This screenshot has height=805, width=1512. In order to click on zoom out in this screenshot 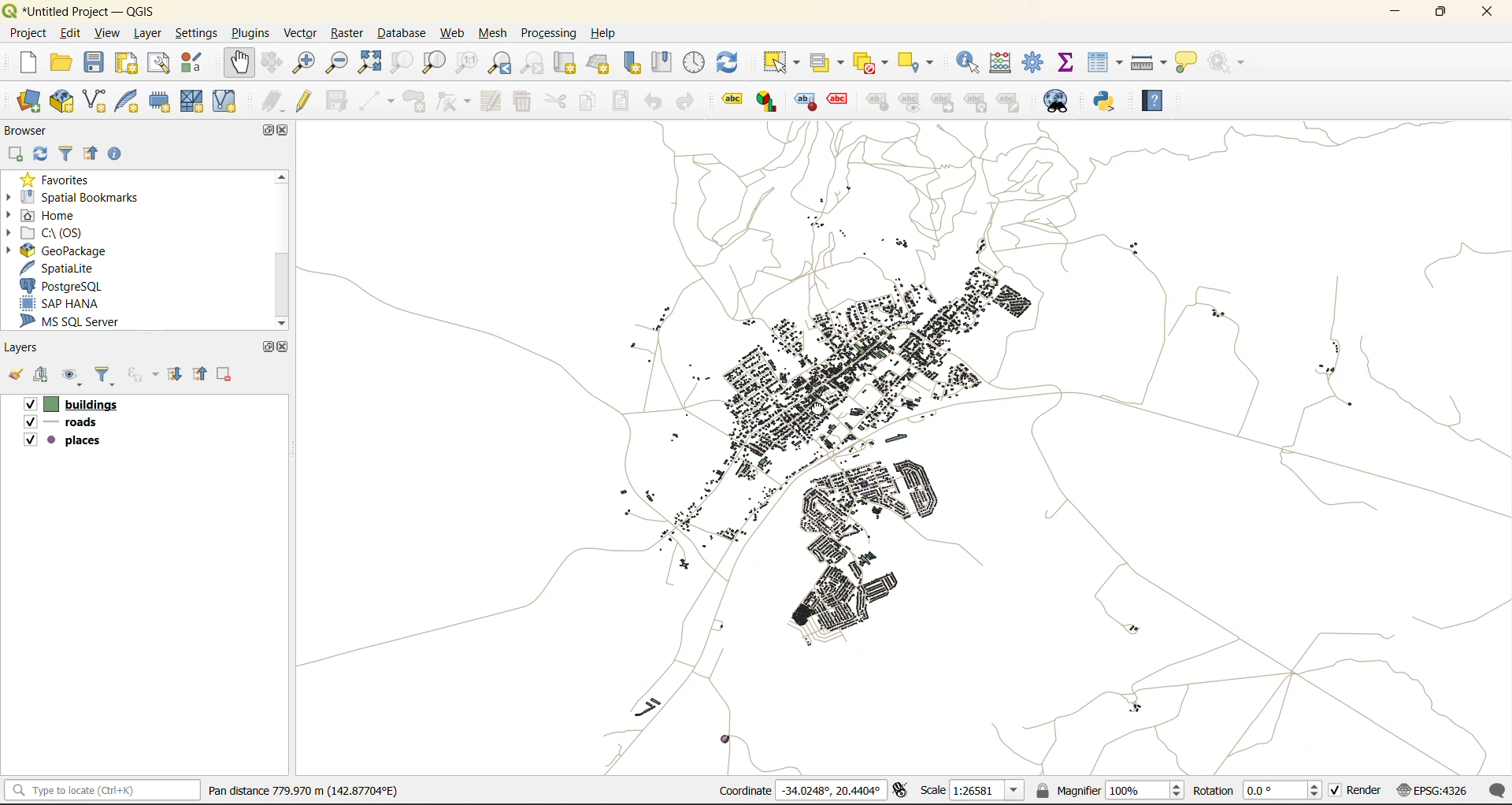, I will do `click(336, 63)`.